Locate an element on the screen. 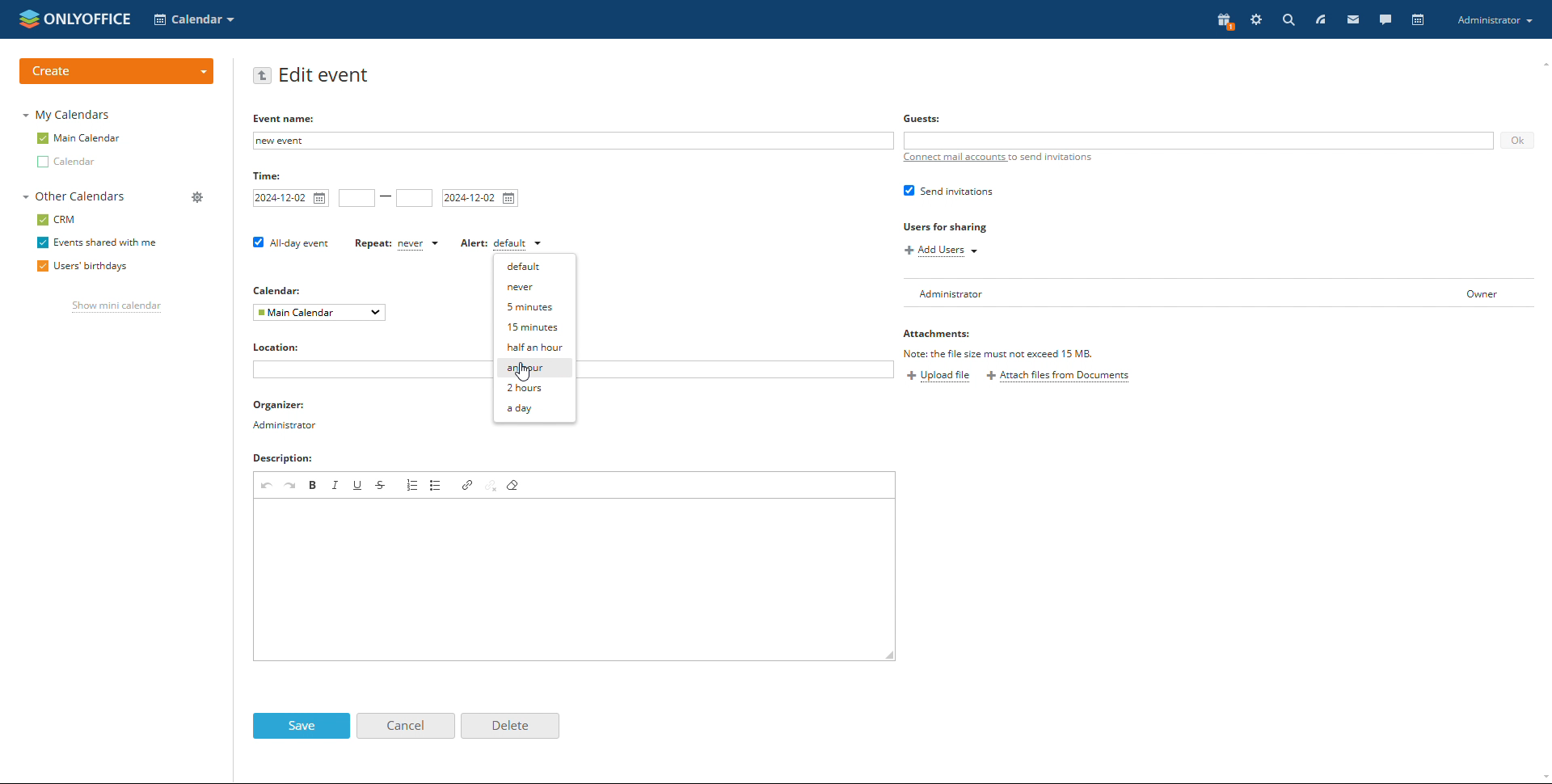  end time is located at coordinates (415, 197).